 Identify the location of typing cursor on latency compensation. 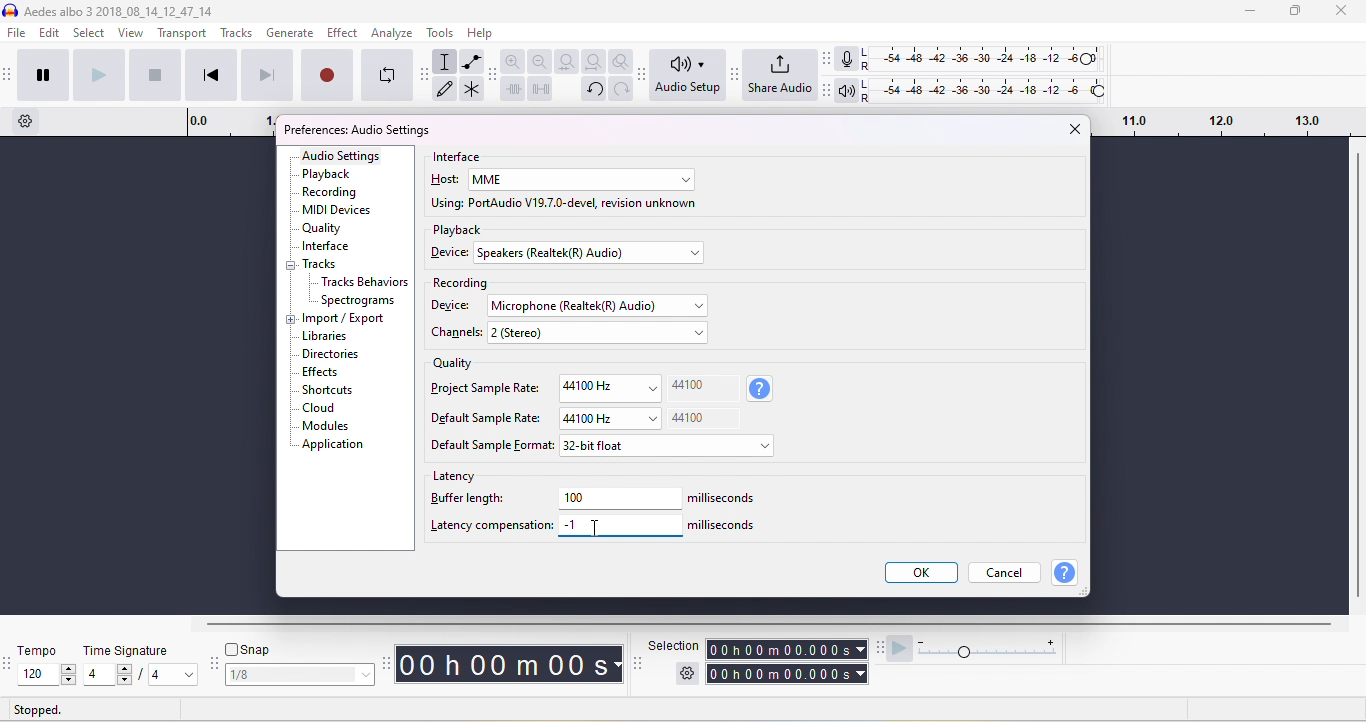
(599, 529).